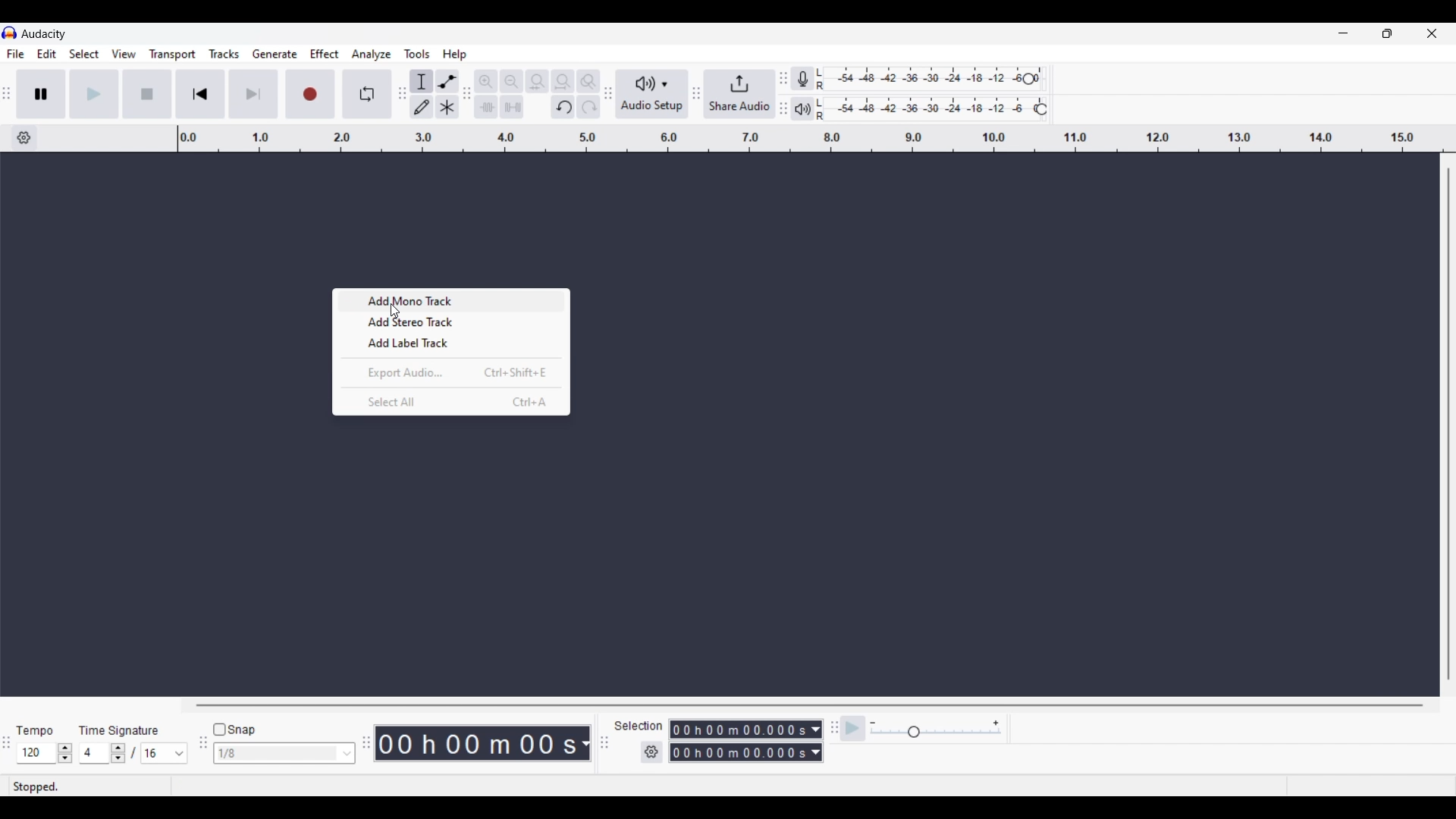  What do you see at coordinates (454, 55) in the screenshot?
I see `Help menu` at bounding box center [454, 55].